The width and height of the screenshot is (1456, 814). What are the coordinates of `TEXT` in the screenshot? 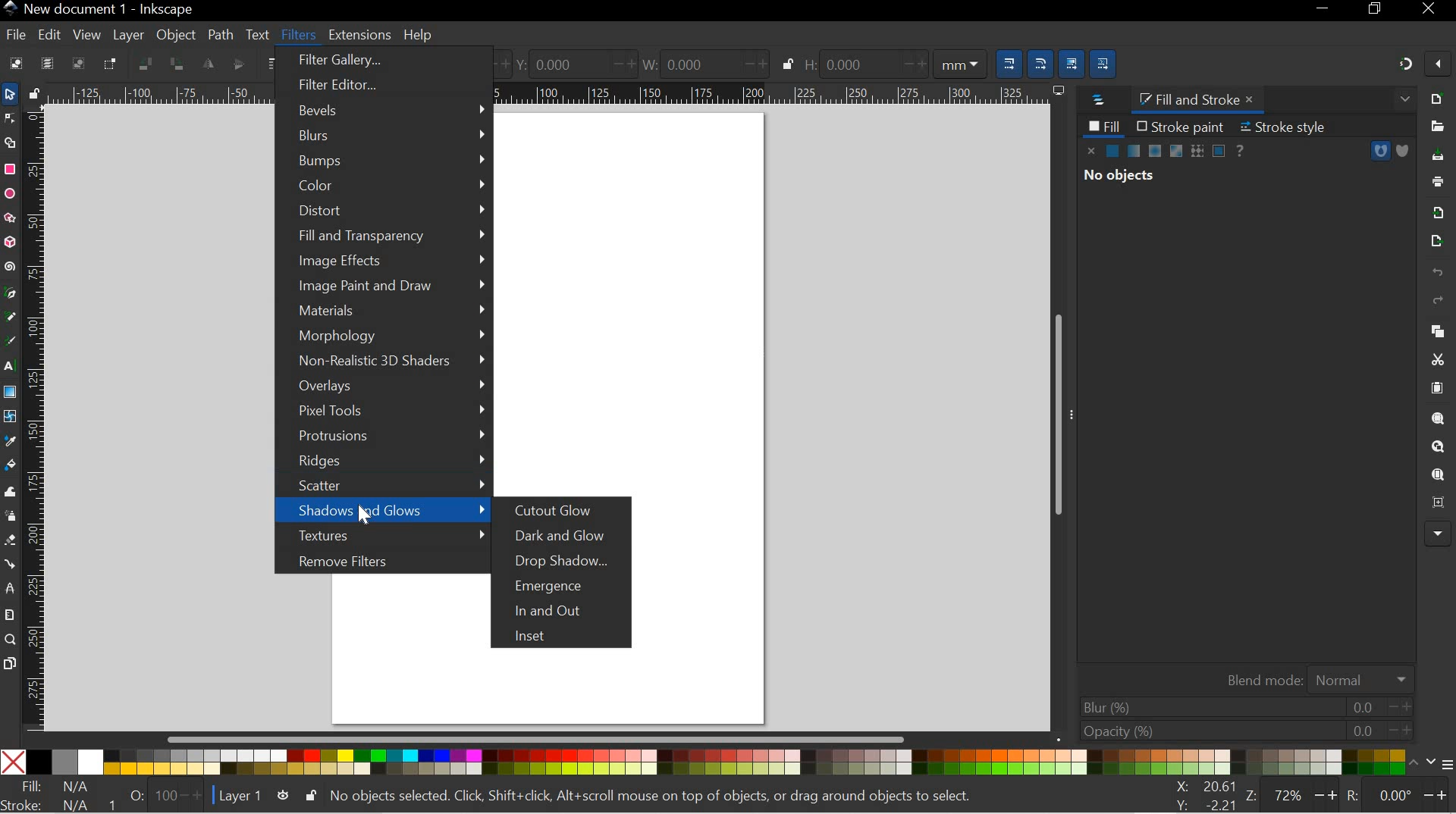 It's located at (258, 33).